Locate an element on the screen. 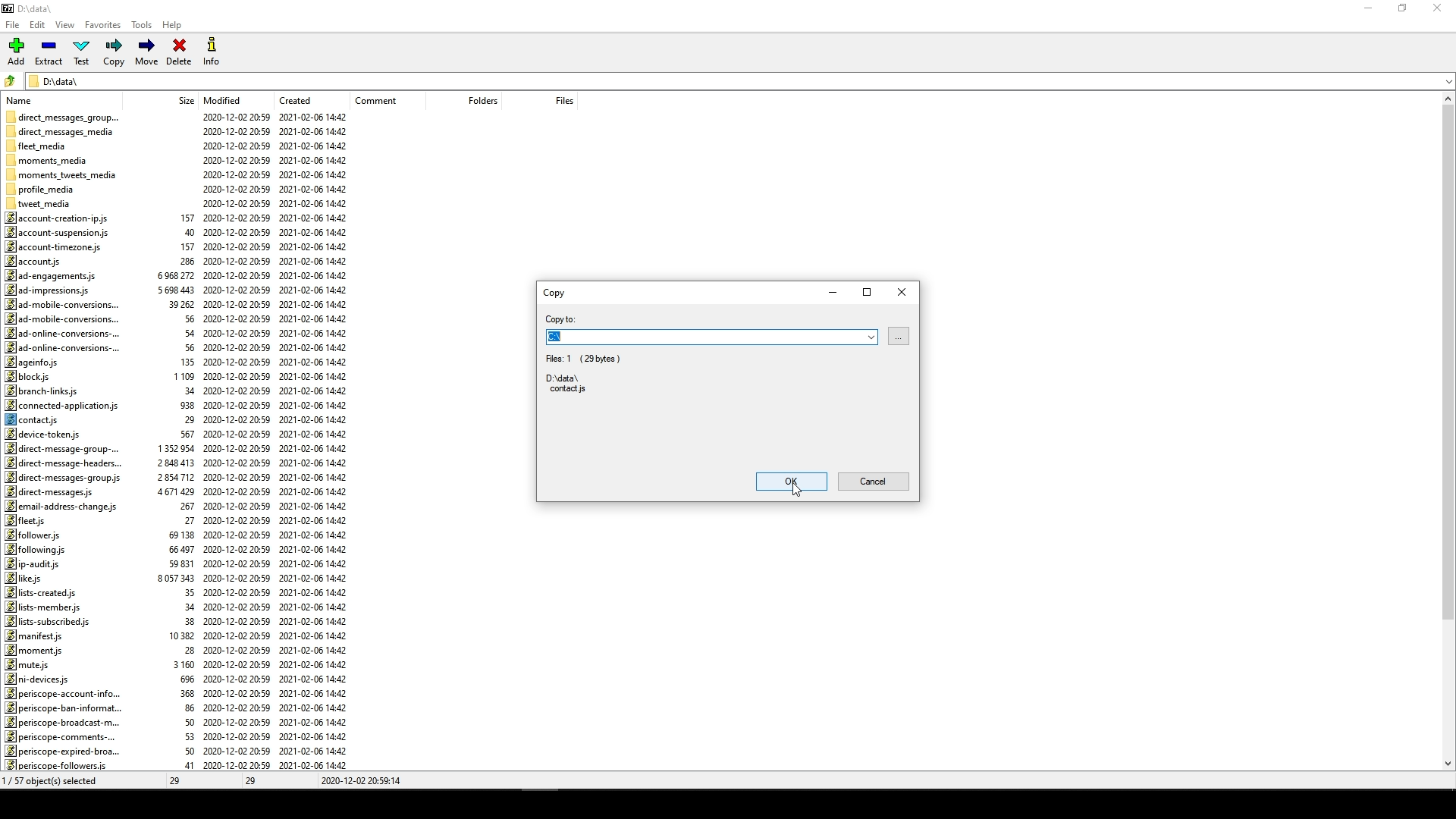 This screenshot has width=1456, height=819. ad-online-conversions is located at coordinates (63, 333).